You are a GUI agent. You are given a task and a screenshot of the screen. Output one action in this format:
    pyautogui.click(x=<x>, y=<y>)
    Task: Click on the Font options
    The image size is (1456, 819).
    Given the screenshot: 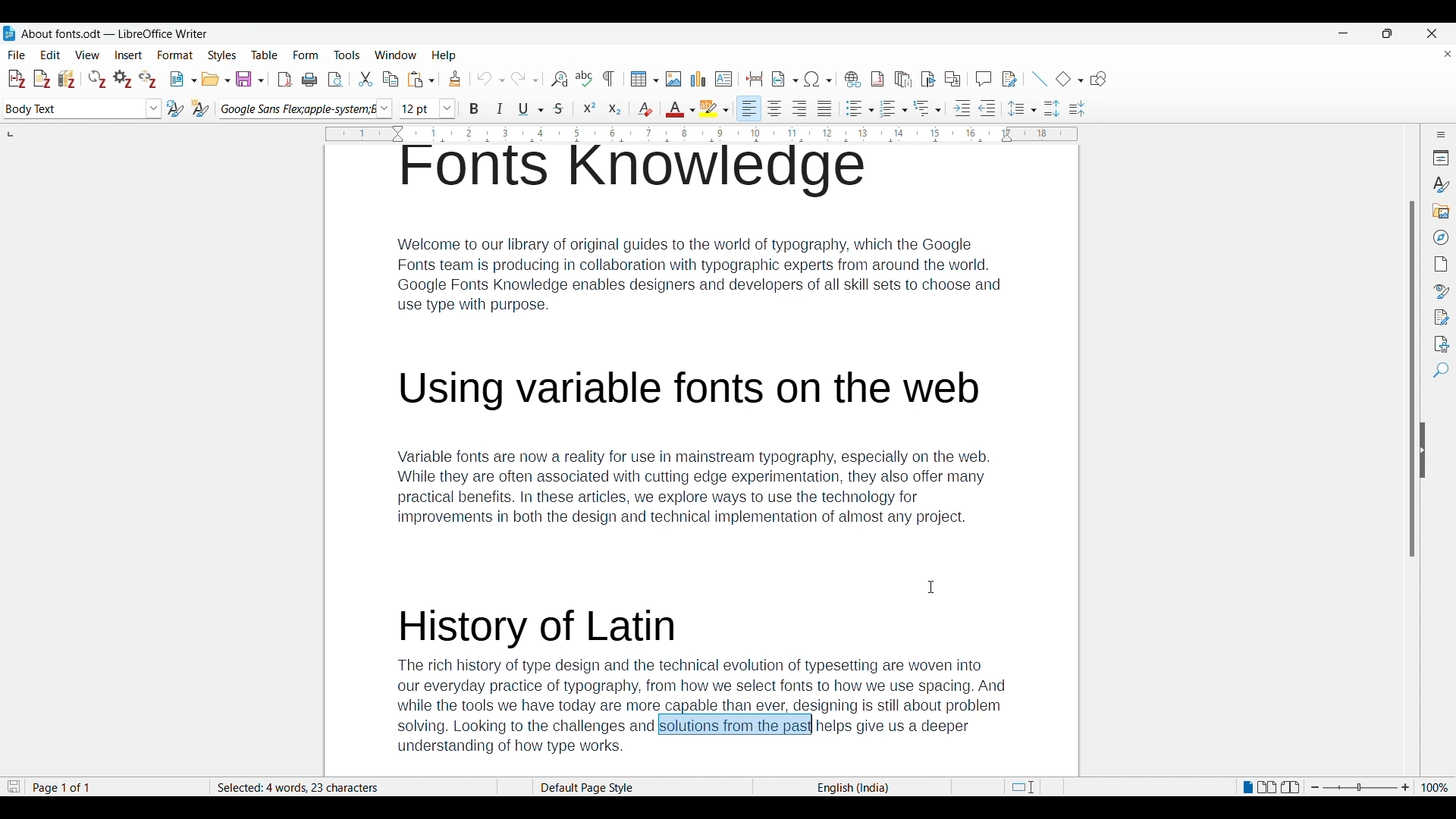 What is the action you would take?
    pyautogui.click(x=384, y=108)
    